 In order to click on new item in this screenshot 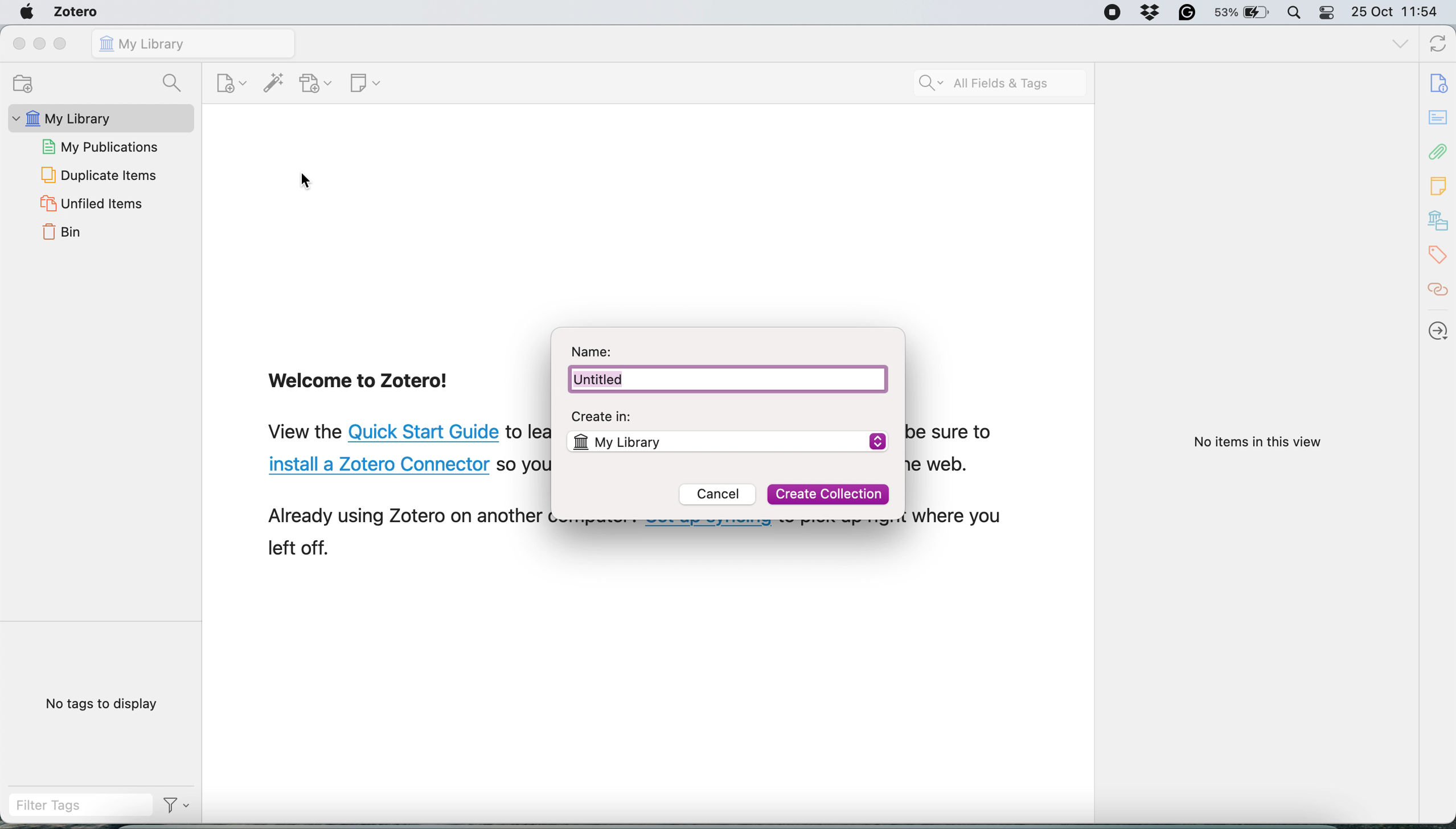, I will do `click(229, 82)`.